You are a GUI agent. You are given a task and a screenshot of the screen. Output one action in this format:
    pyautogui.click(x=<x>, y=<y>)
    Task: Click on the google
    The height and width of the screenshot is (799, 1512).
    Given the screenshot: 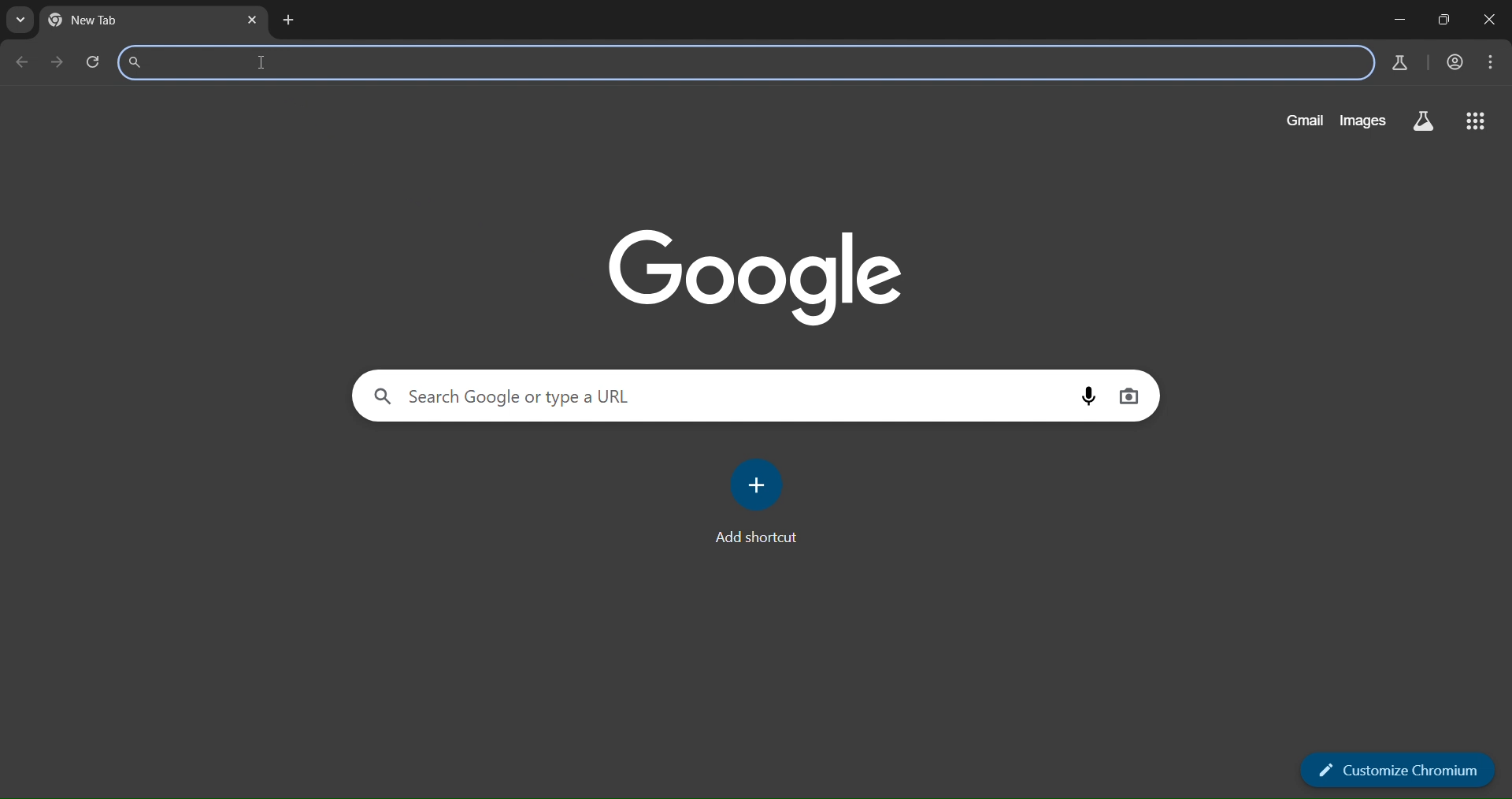 What is the action you would take?
    pyautogui.click(x=754, y=274)
    